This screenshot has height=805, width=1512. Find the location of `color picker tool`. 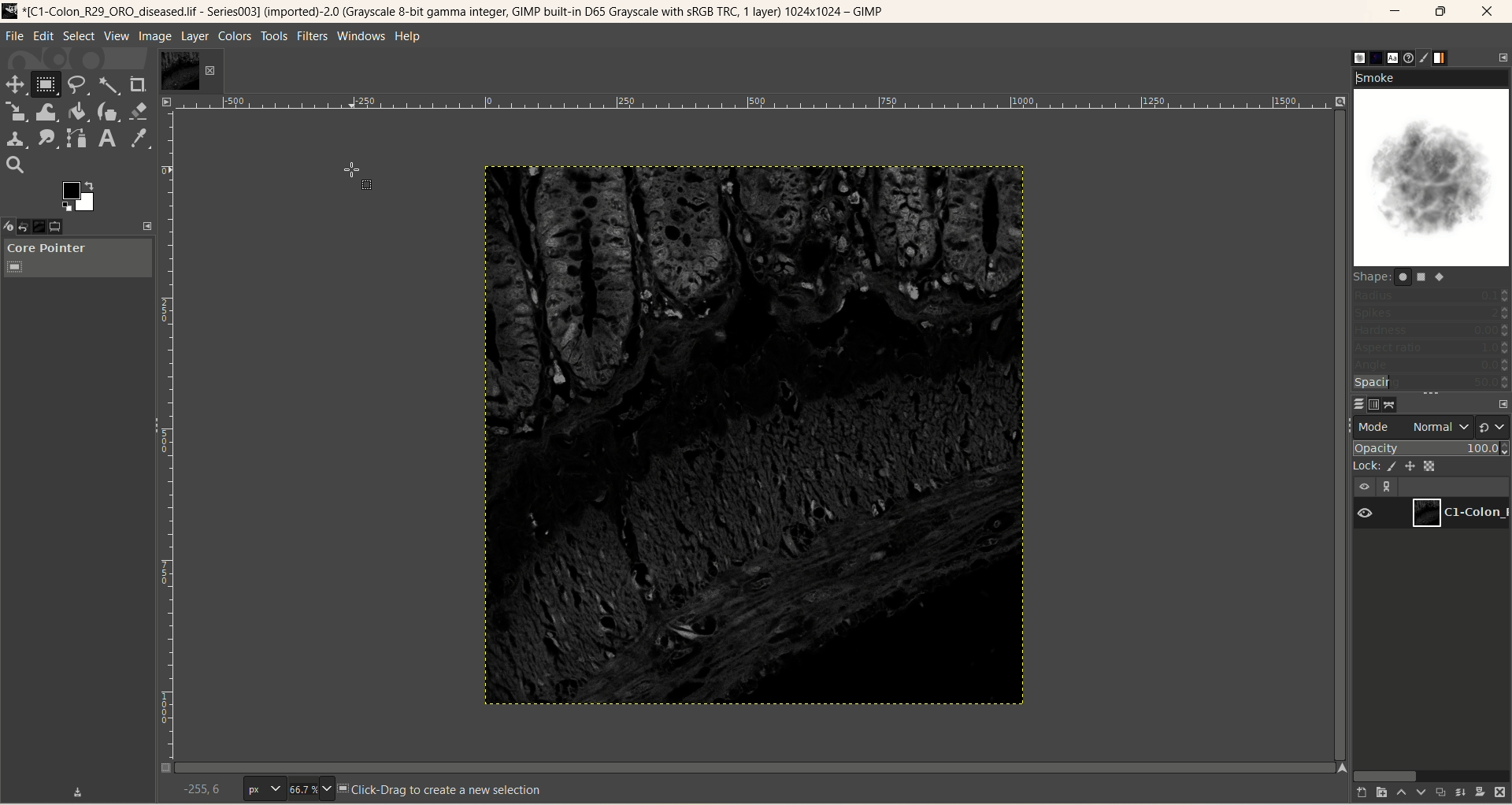

color picker tool is located at coordinates (138, 139).